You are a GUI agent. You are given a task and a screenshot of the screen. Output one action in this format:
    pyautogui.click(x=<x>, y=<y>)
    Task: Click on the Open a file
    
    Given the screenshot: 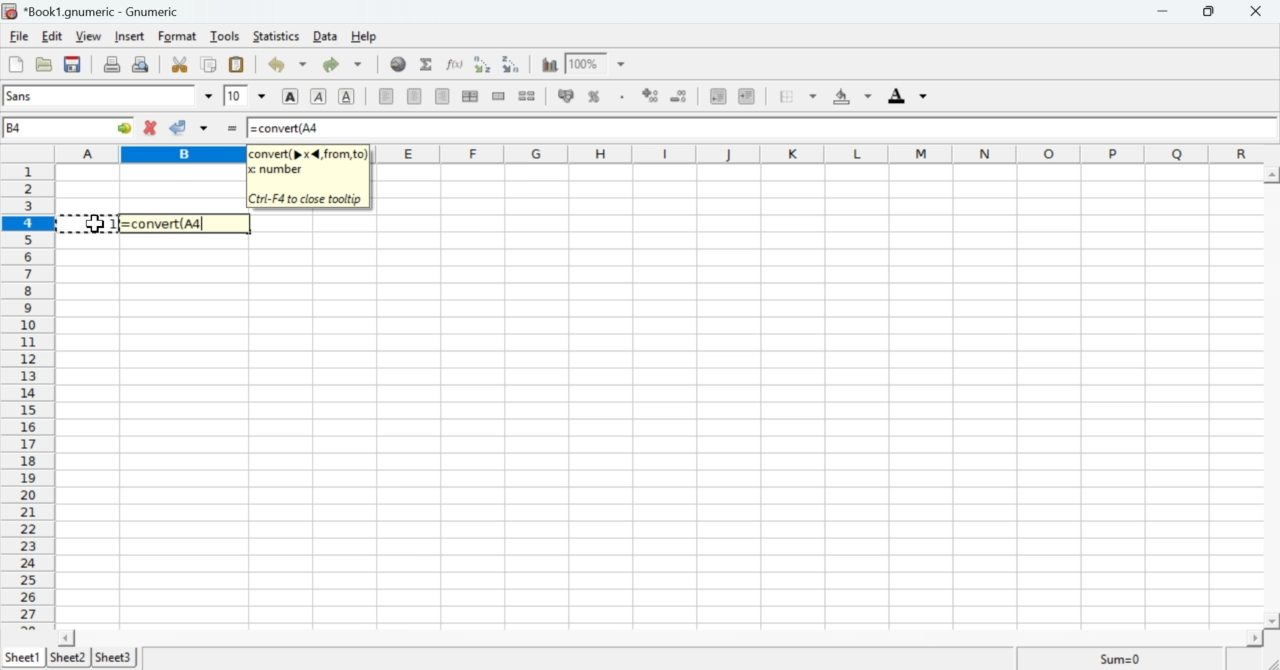 What is the action you would take?
    pyautogui.click(x=46, y=65)
    